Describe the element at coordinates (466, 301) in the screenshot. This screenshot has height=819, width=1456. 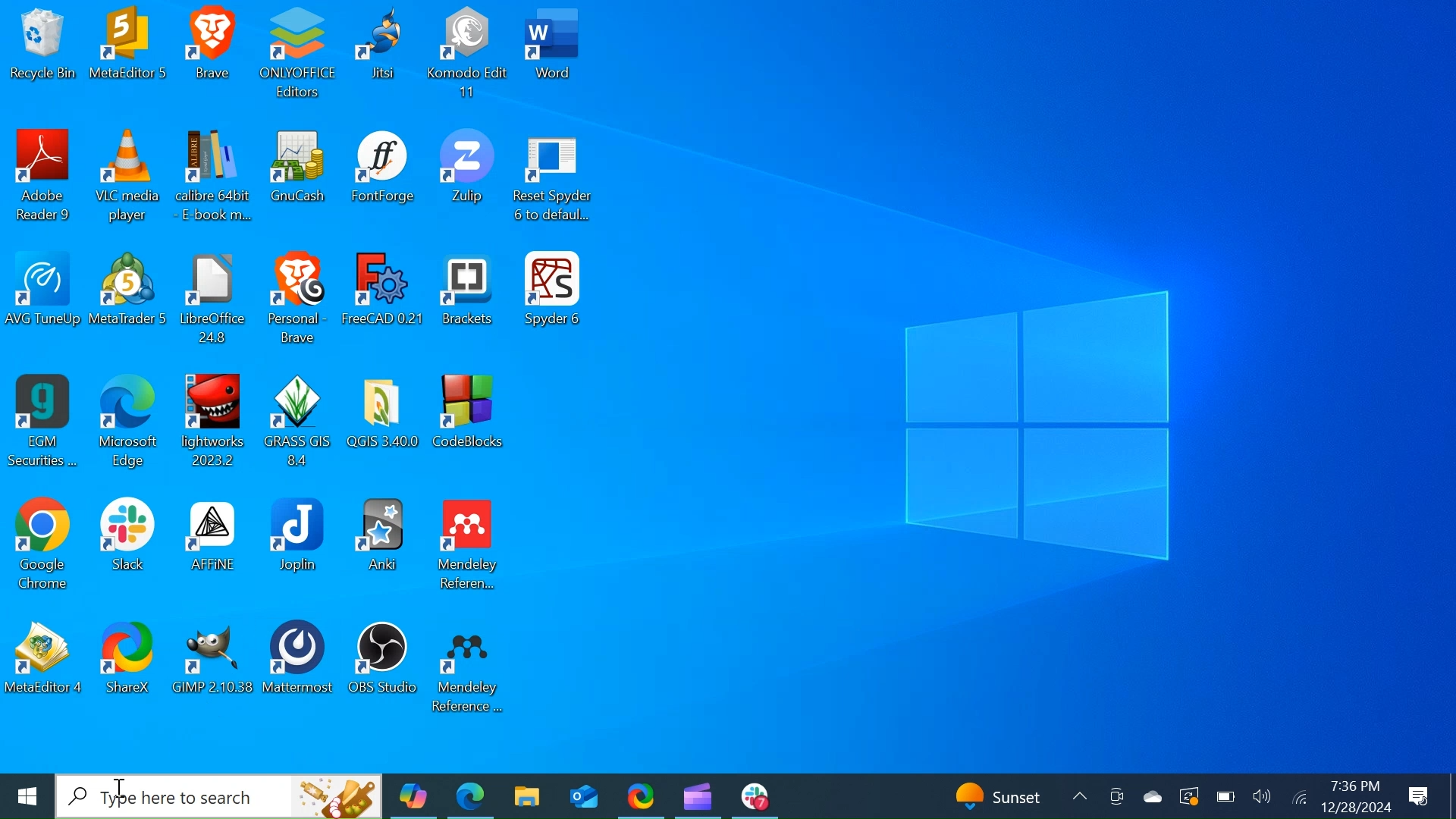
I see `Brackets` at that location.